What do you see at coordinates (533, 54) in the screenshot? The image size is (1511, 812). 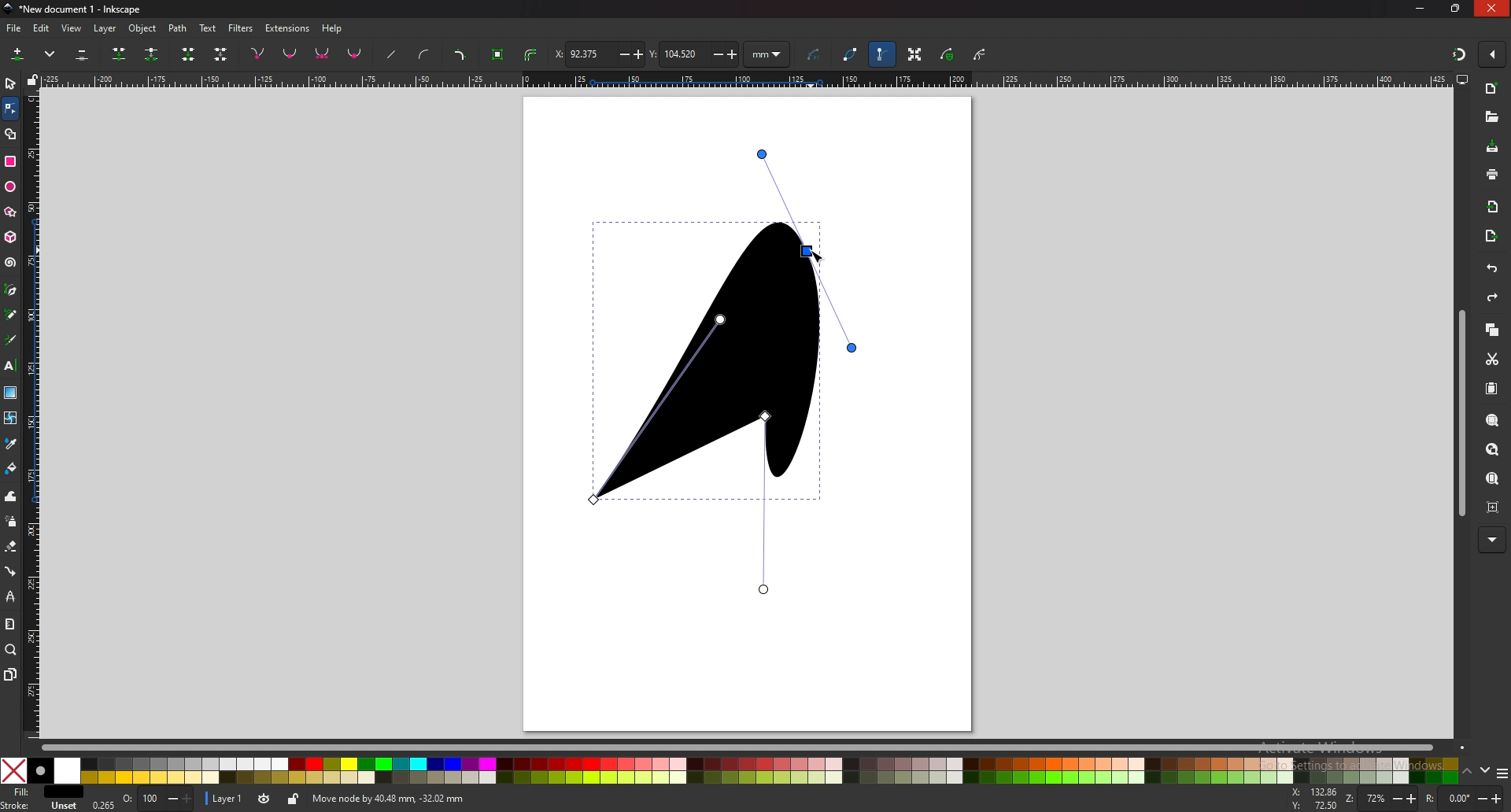 I see `stroke to path` at bounding box center [533, 54].